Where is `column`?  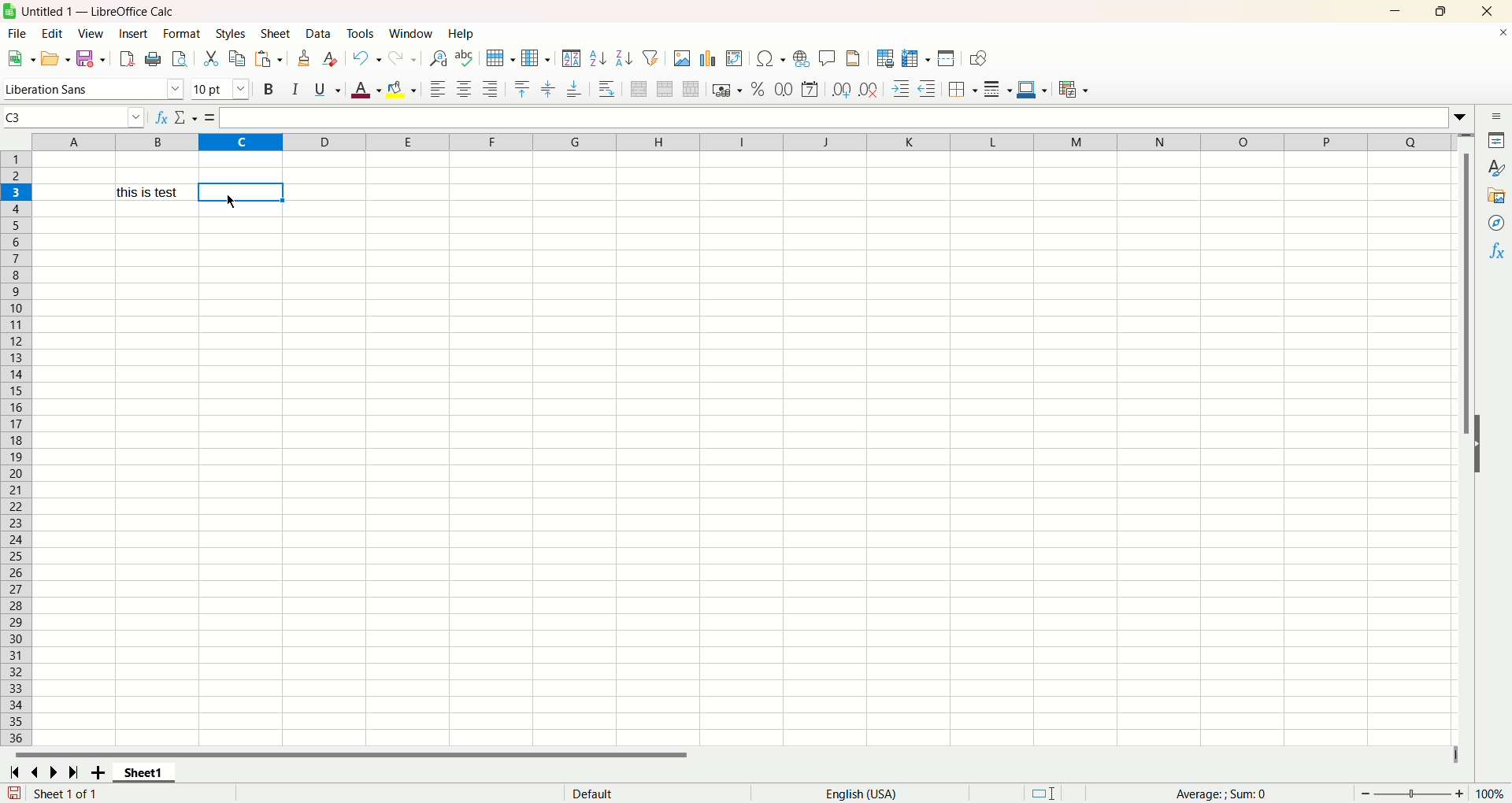
column is located at coordinates (535, 57).